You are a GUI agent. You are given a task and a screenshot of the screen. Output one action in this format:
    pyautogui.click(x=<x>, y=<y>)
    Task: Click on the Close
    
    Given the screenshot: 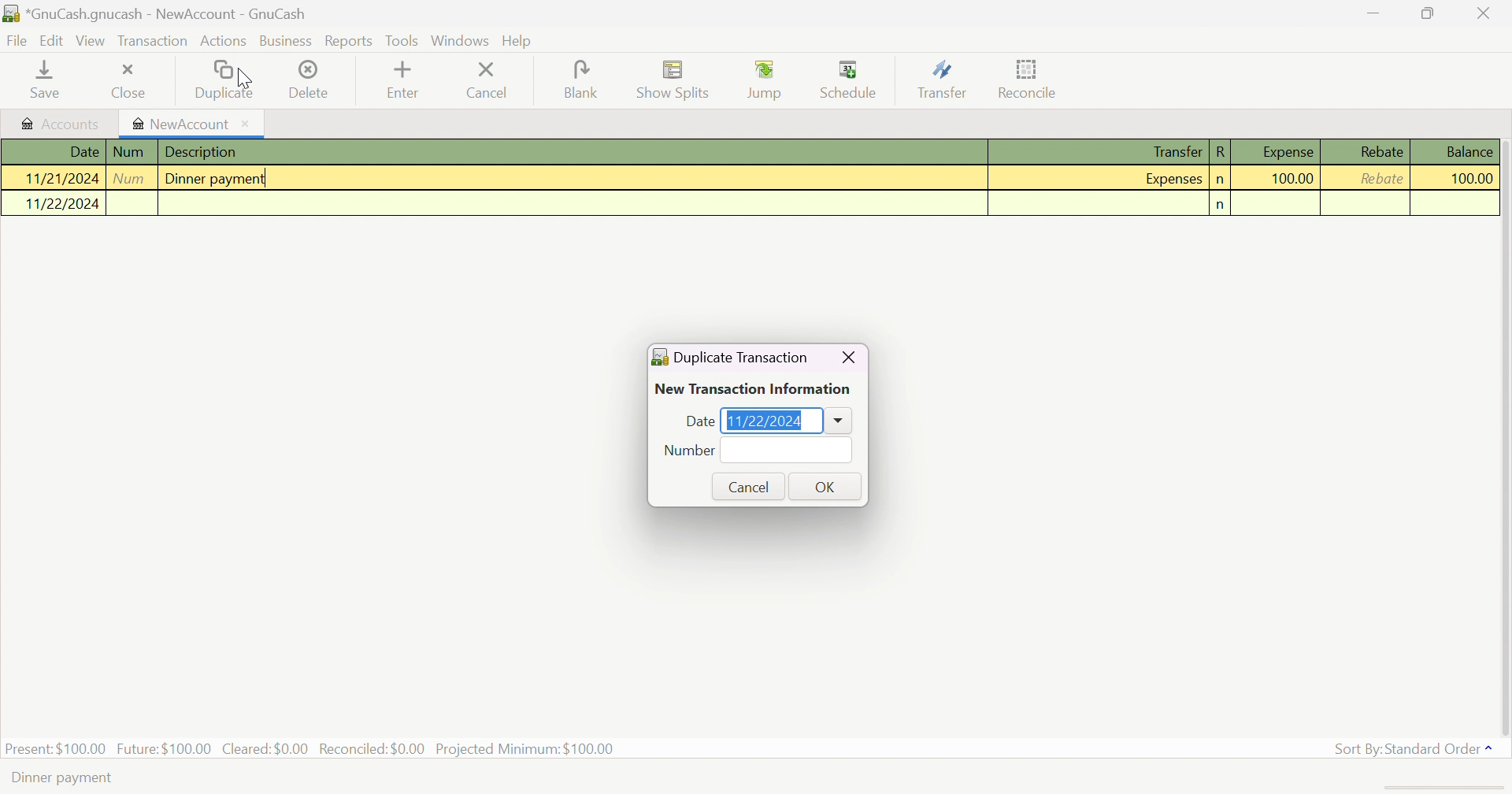 What is the action you would take?
    pyautogui.click(x=1485, y=13)
    